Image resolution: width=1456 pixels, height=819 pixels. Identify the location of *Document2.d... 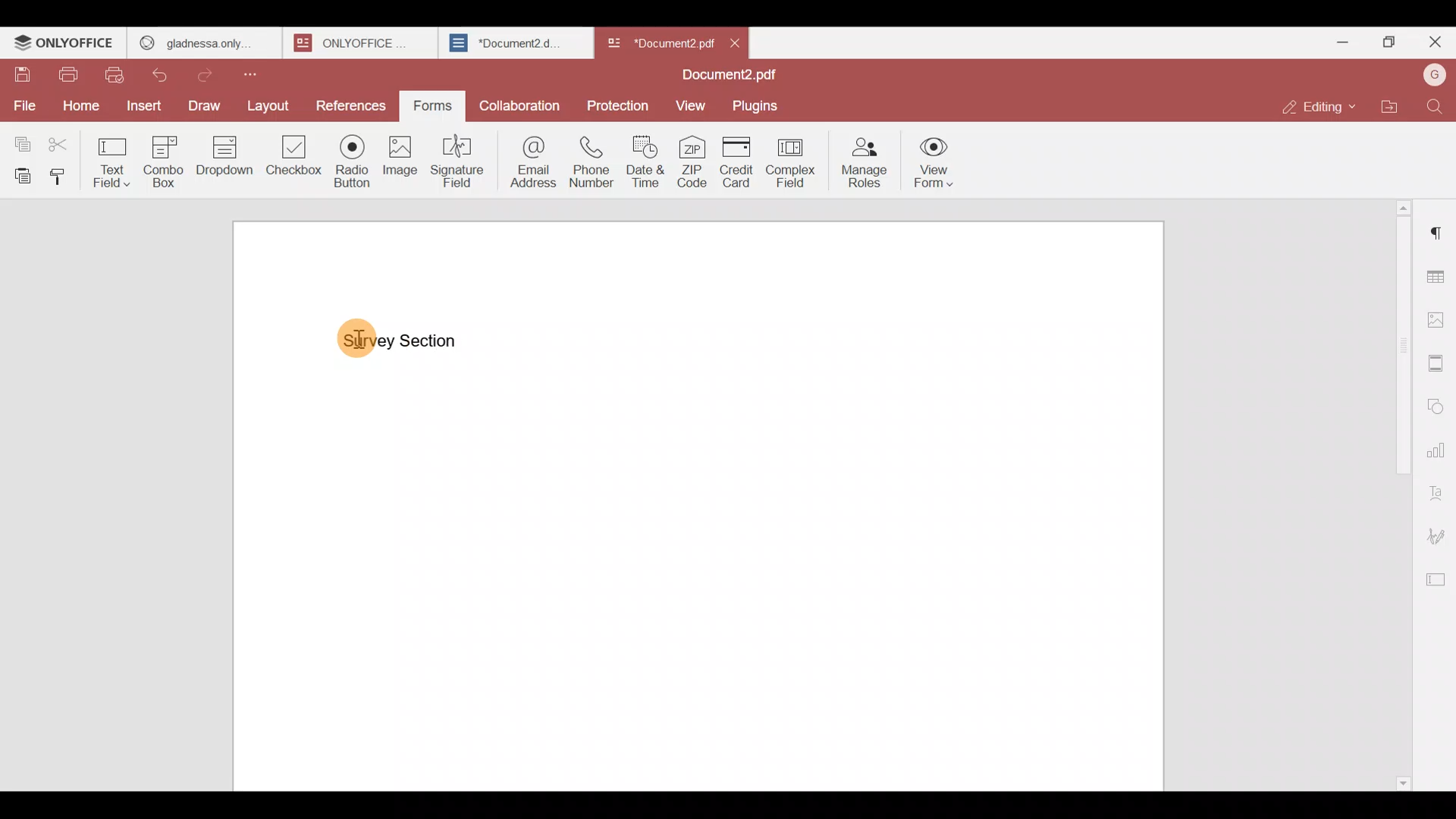
(507, 41).